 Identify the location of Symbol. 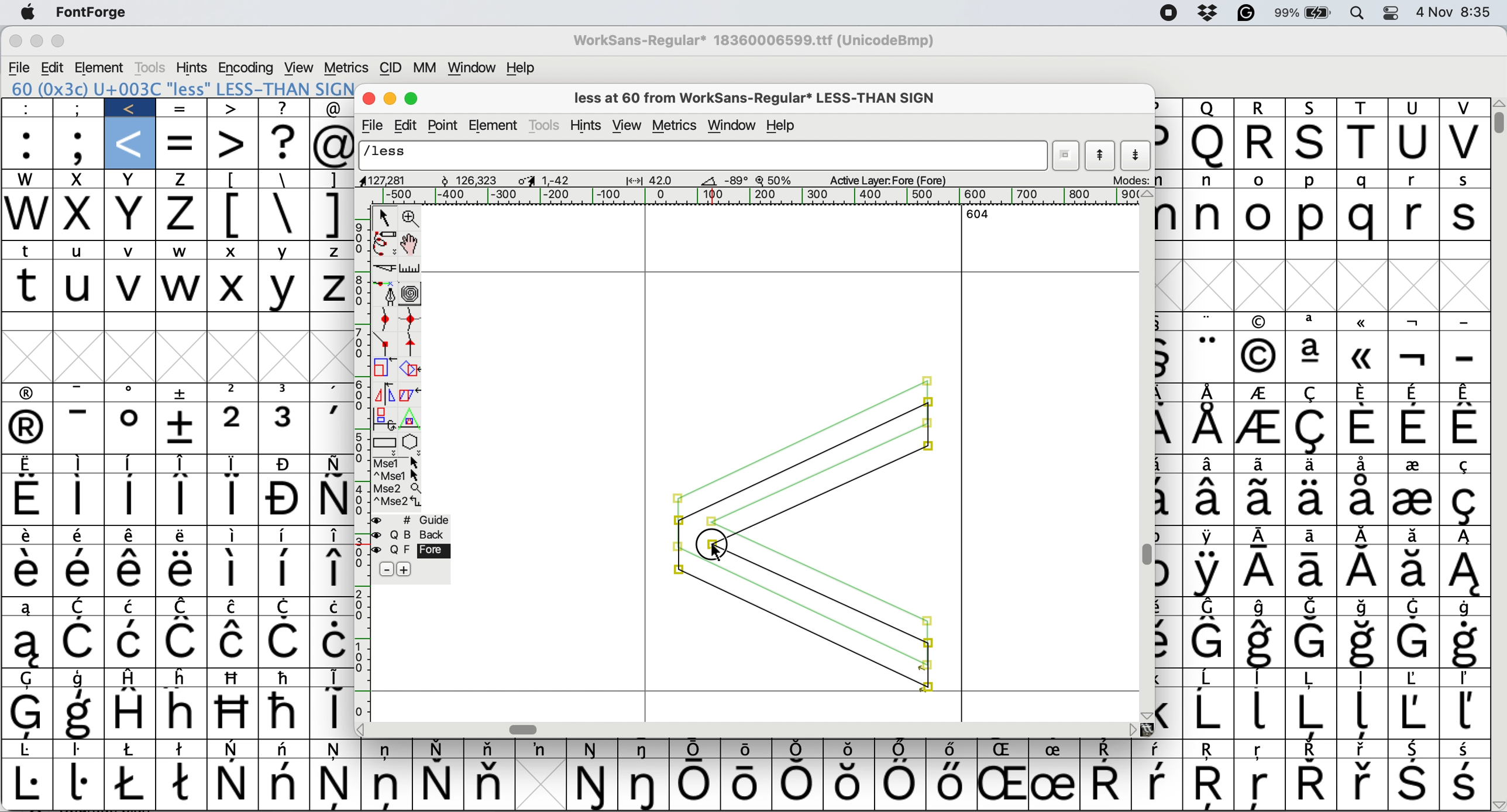
(1309, 394).